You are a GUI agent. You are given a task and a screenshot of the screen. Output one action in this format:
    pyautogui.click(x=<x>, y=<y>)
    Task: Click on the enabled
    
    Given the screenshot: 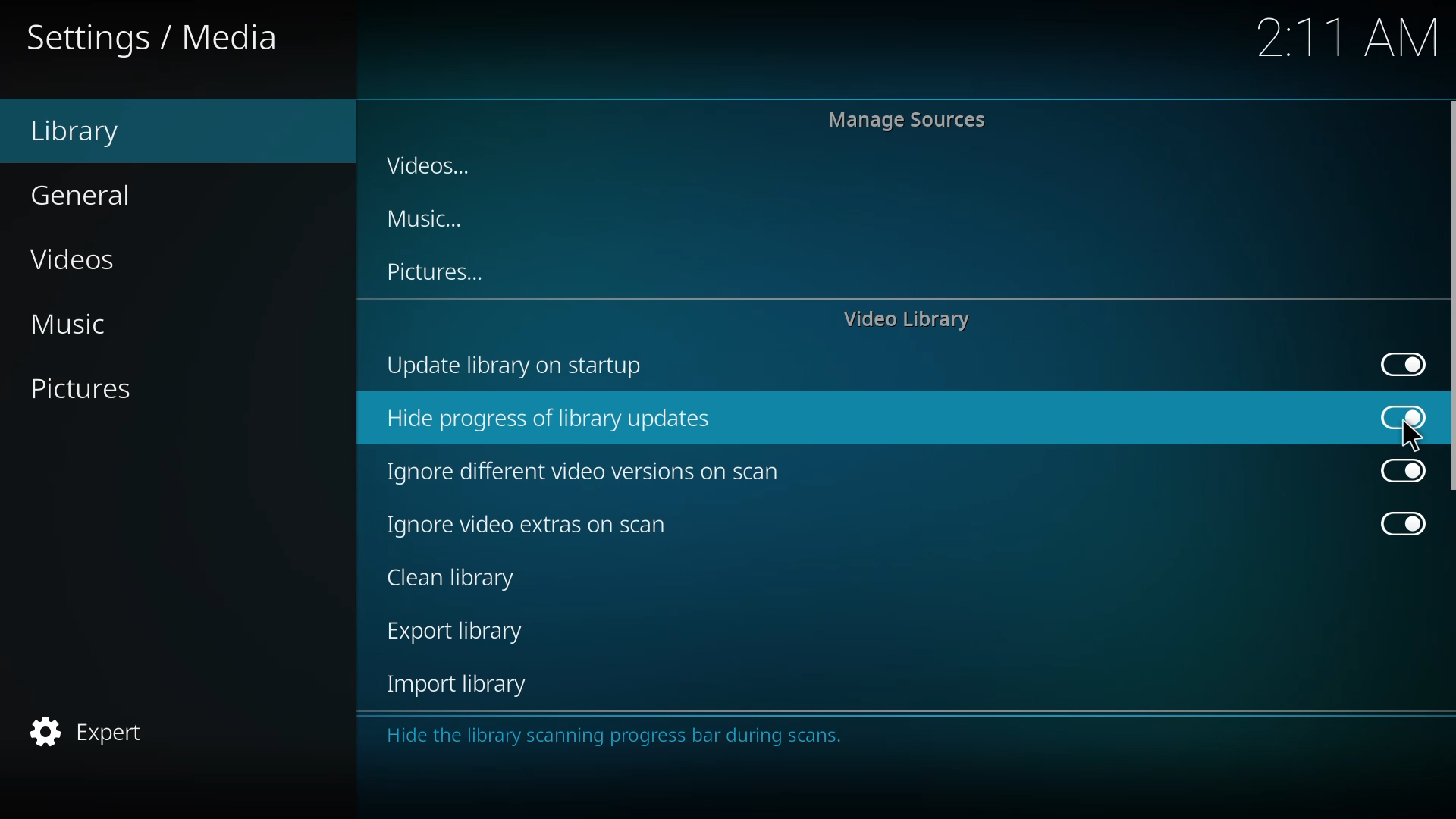 What is the action you would take?
    pyautogui.click(x=1399, y=471)
    